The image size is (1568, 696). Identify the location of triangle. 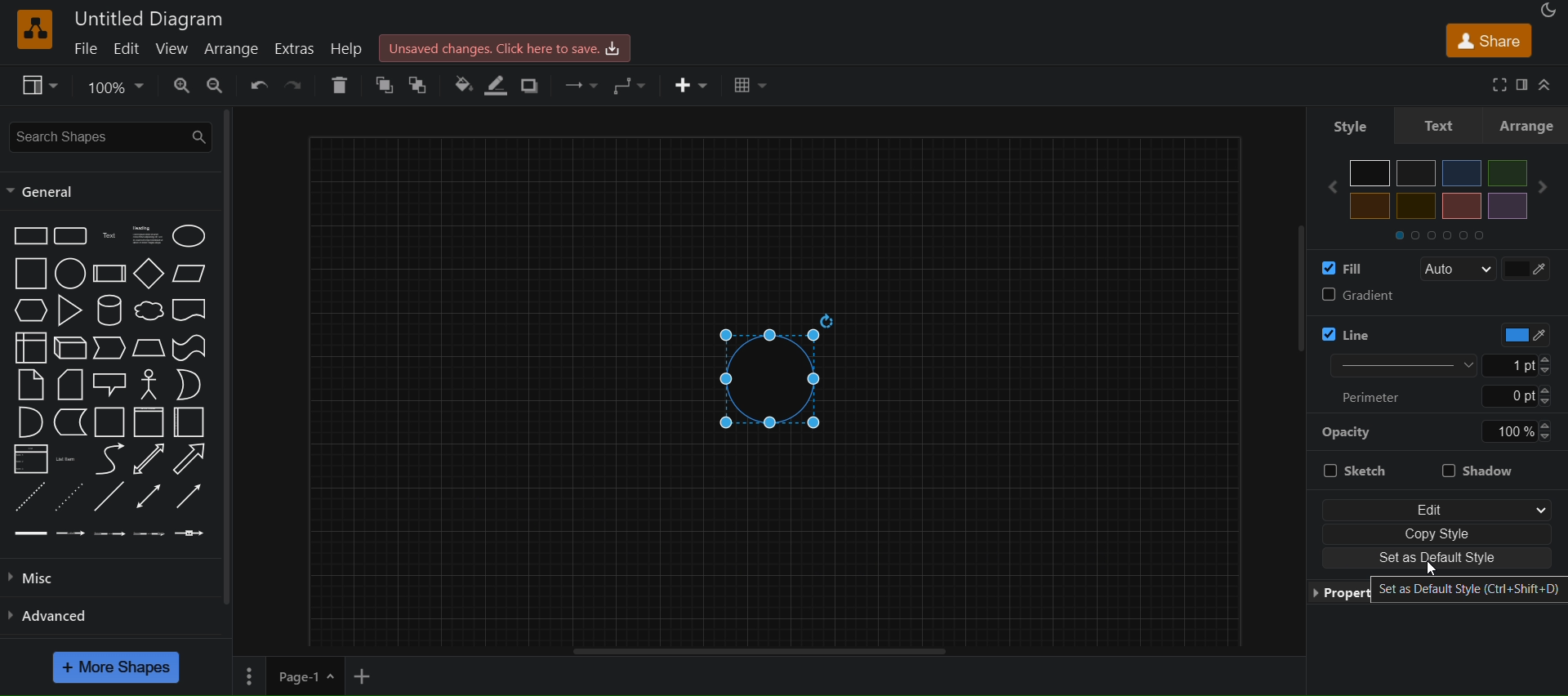
(73, 310).